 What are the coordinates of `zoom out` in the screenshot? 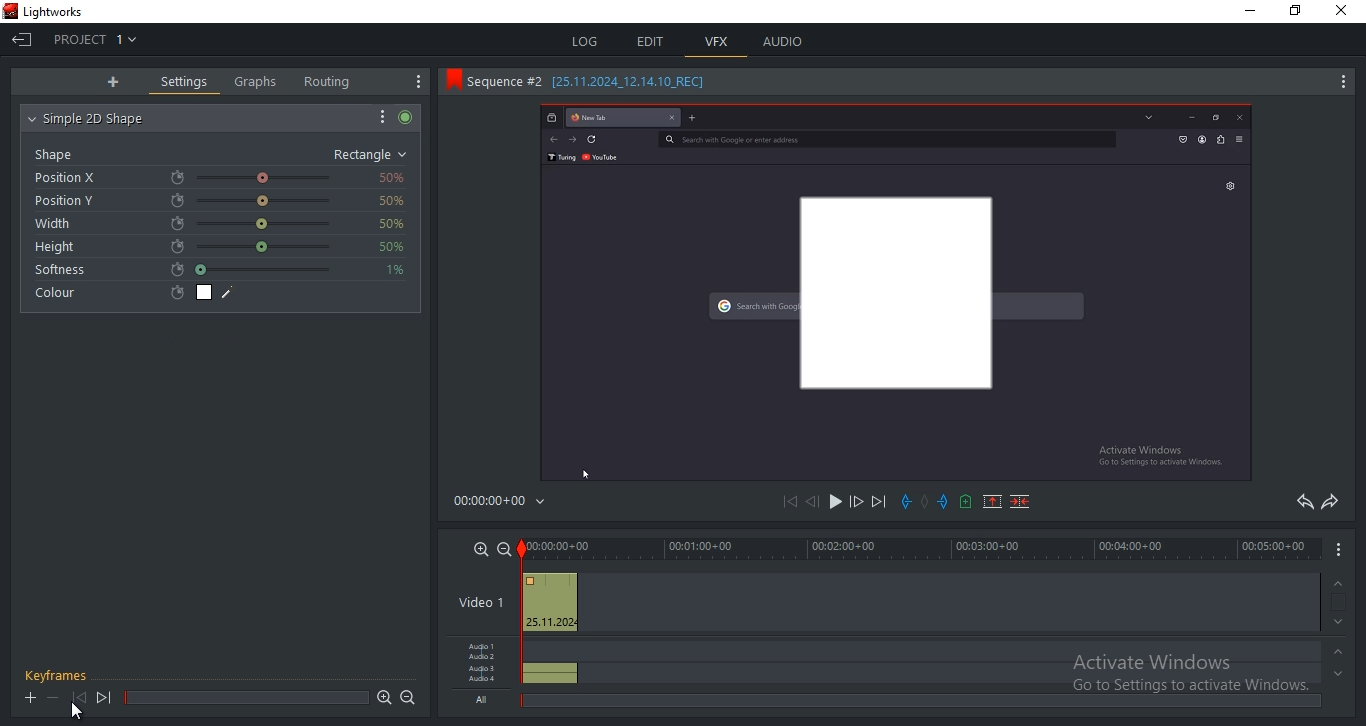 It's located at (410, 700).